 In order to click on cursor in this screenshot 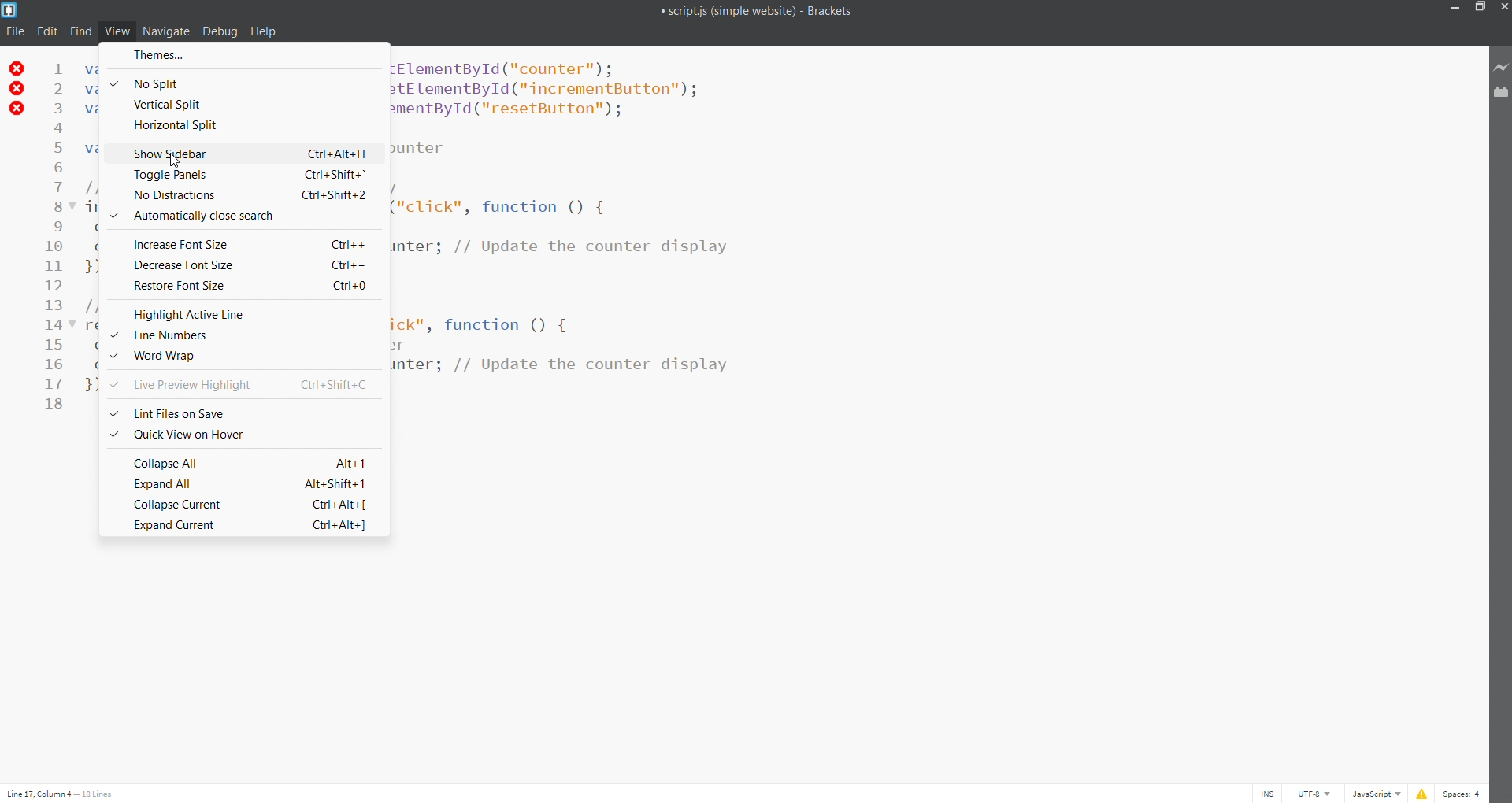, I will do `click(176, 160)`.